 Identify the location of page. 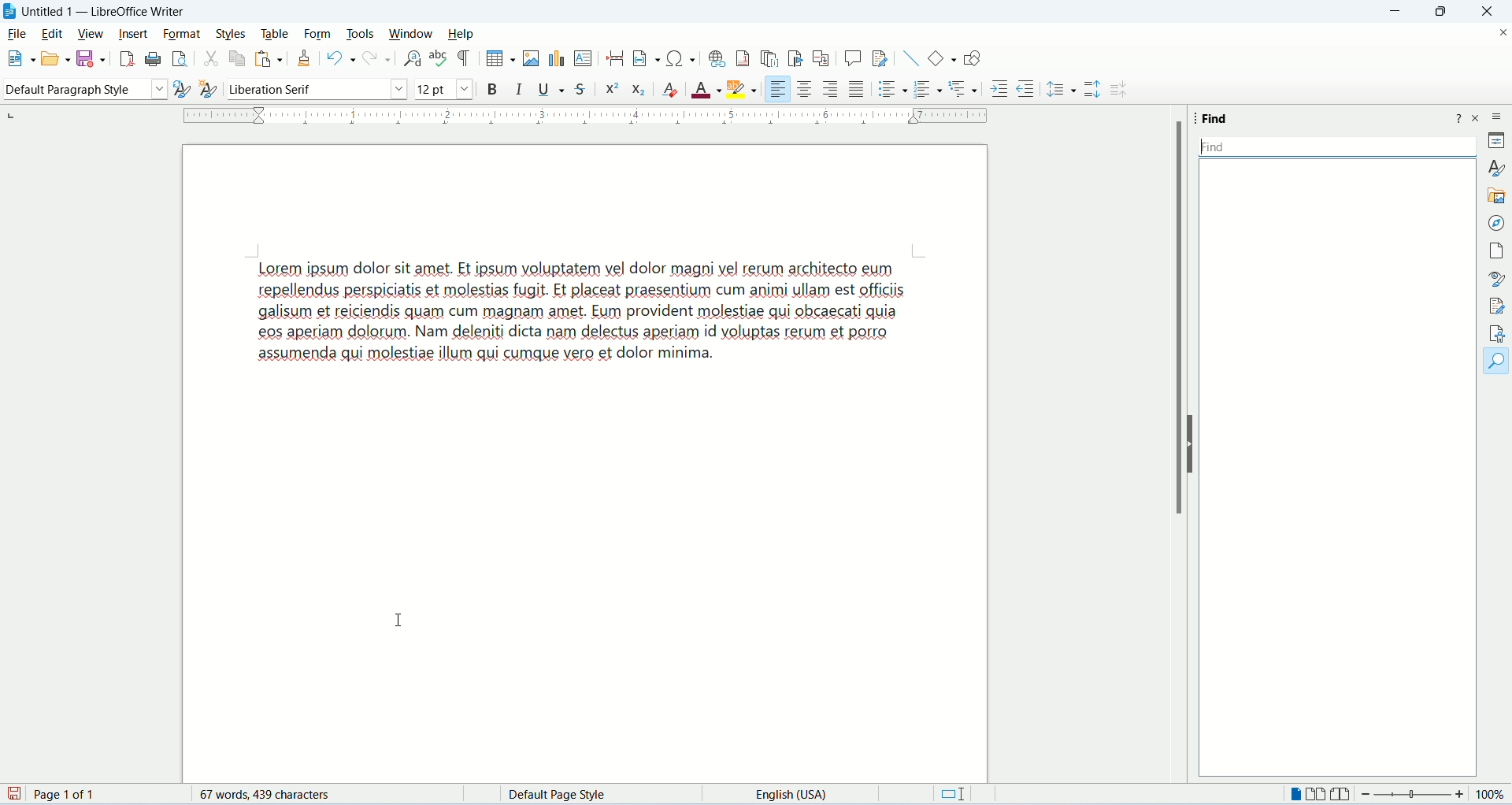
(50, 795).